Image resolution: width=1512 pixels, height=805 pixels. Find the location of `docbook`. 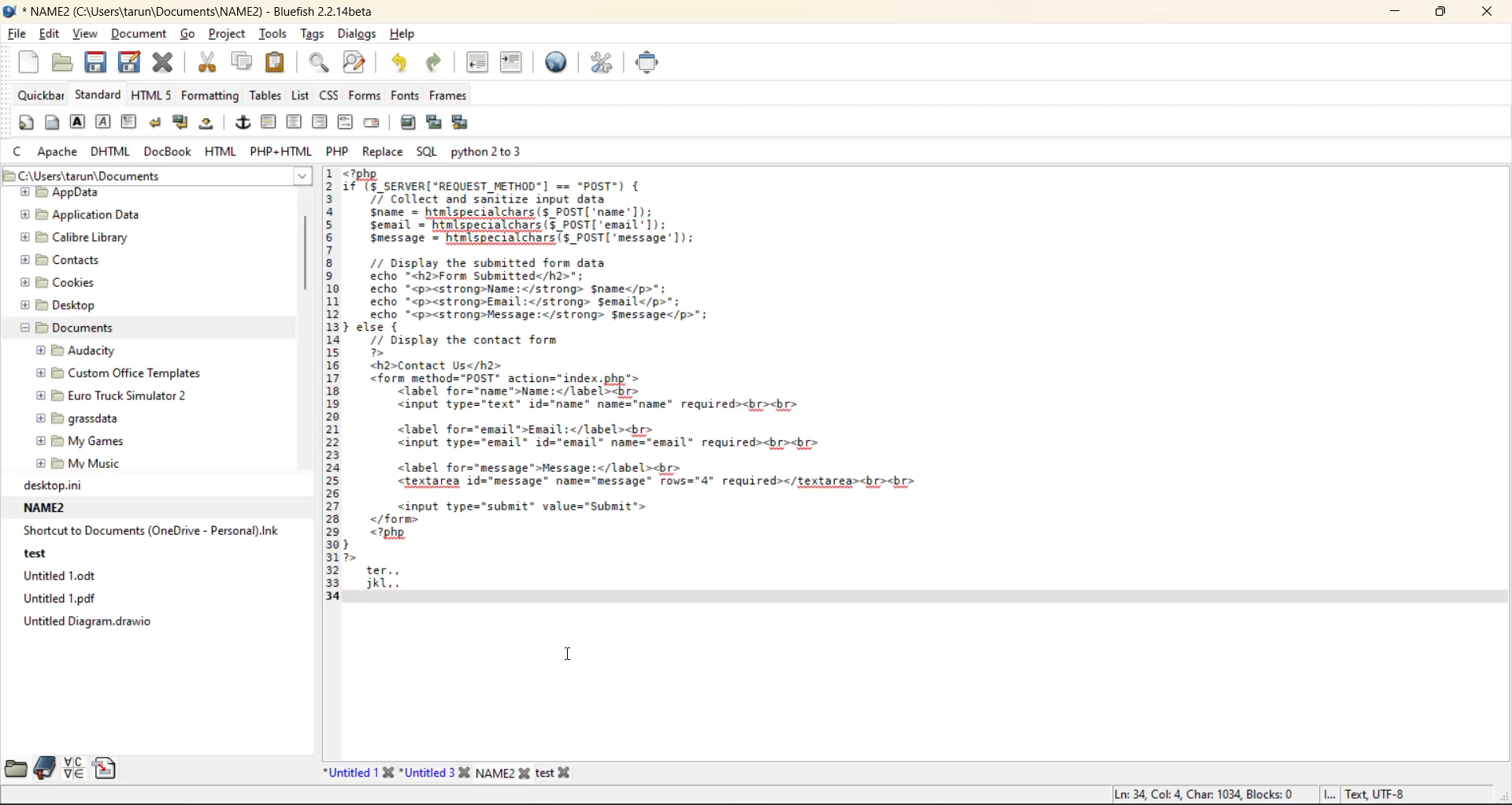

docbook is located at coordinates (168, 153).